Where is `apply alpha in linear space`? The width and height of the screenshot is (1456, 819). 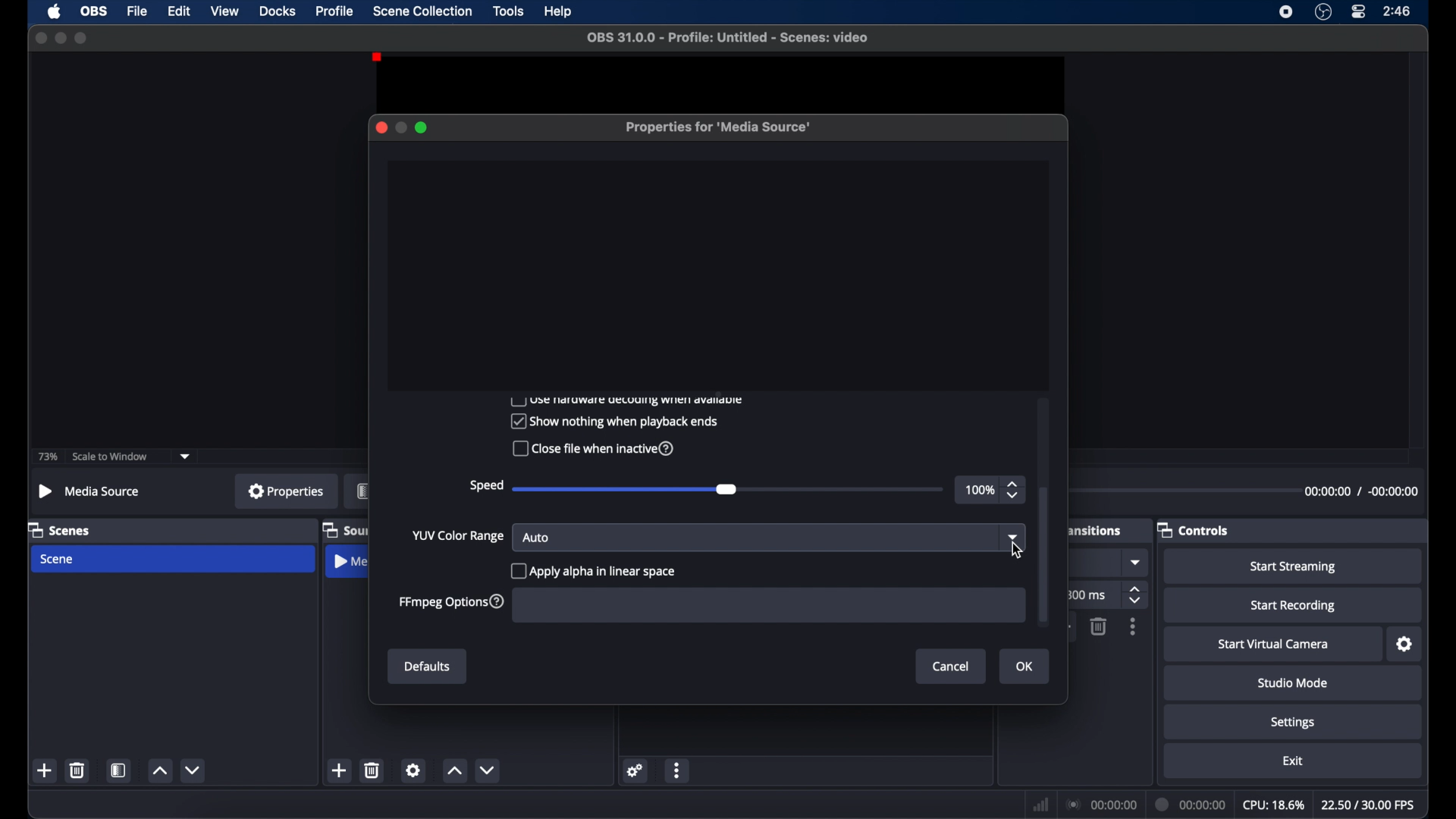
apply alpha in linear space is located at coordinates (596, 568).